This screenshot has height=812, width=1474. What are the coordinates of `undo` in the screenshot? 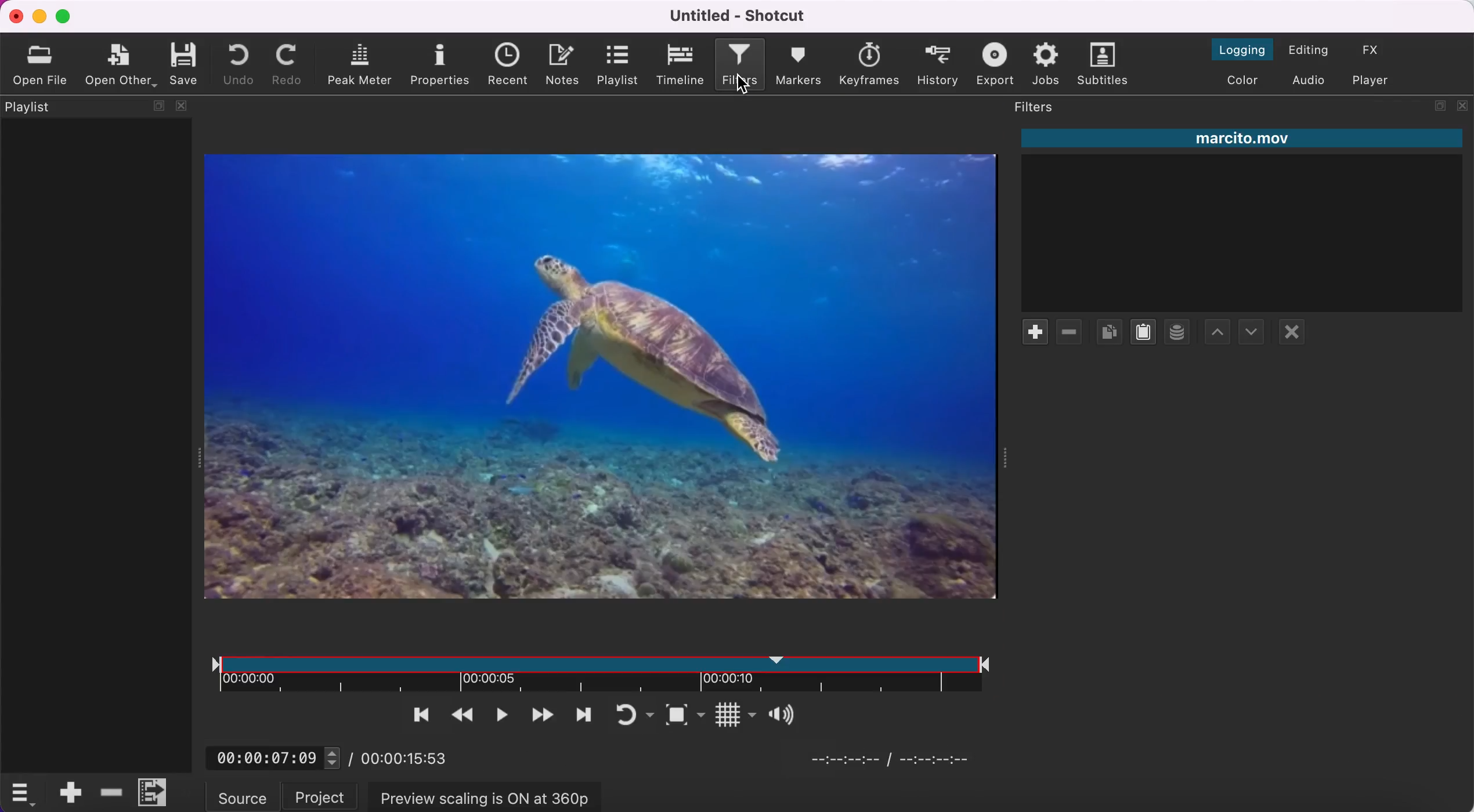 It's located at (237, 64).